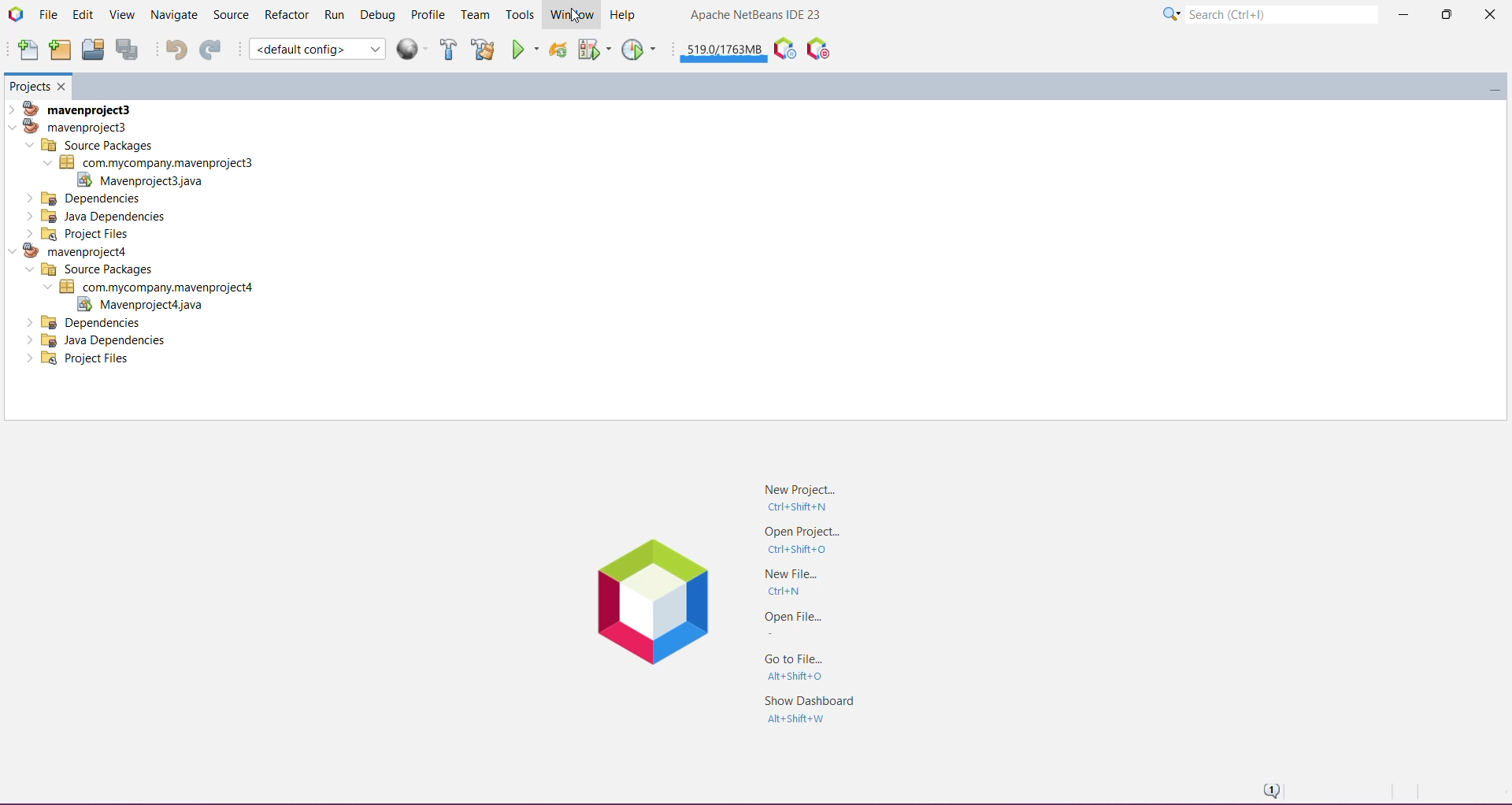 Image resolution: width=1512 pixels, height=805 pixels. What do you see at coordinates (120, 16) in the screenshot?
I see `View` at bounding box center [120, 16].